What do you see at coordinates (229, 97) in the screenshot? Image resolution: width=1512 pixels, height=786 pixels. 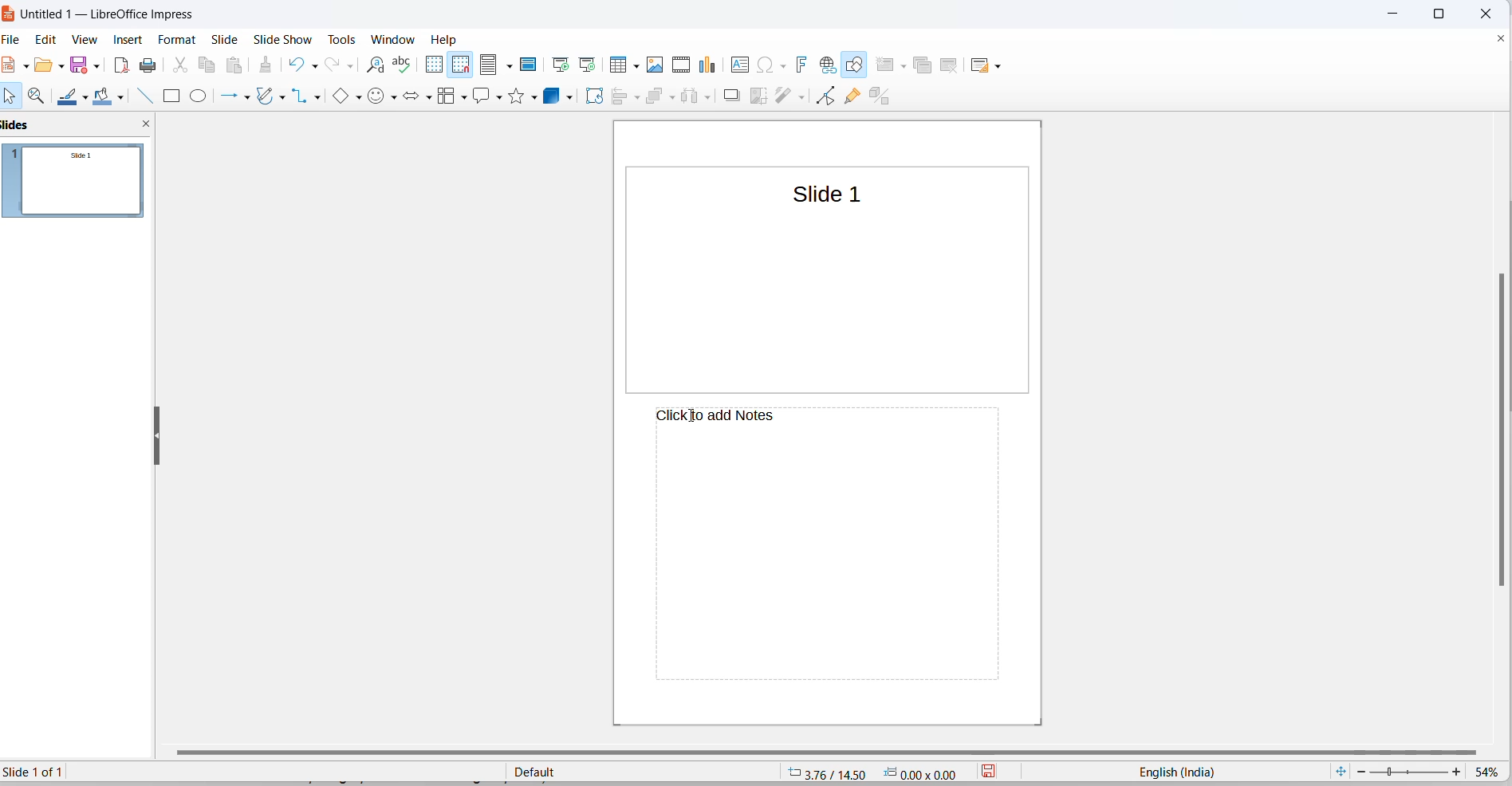 I see `line and arrows` at bounding box center [229, 97].